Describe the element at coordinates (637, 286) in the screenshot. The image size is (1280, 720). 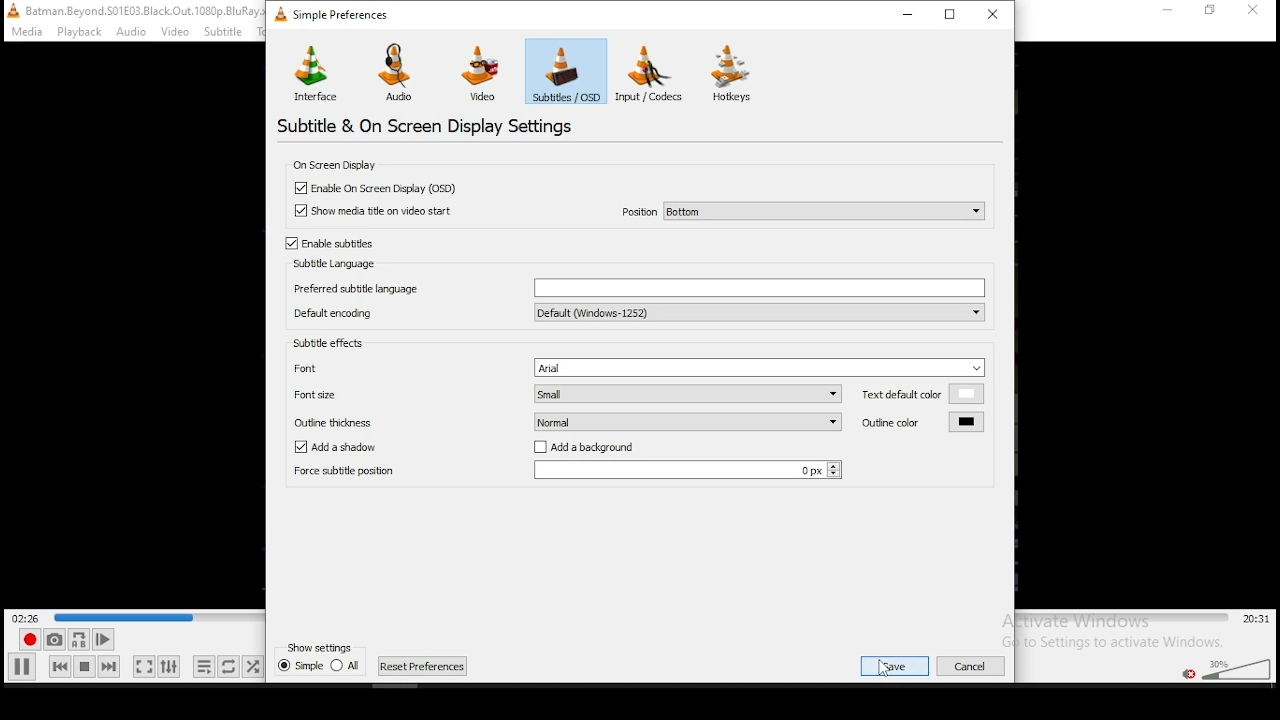
I see `prefer subtitle language` at that location.